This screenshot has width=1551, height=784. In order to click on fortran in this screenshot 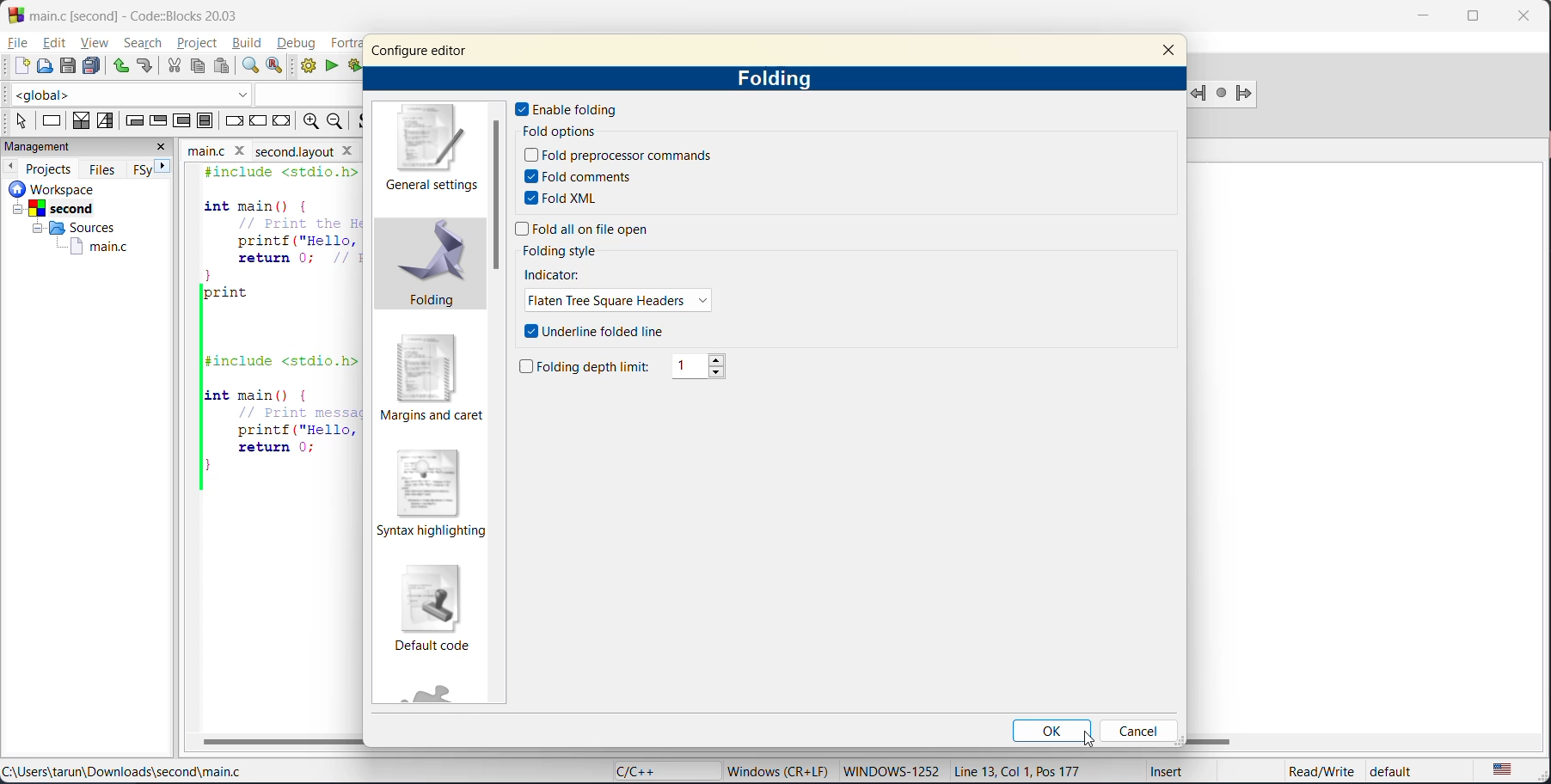, I will do `click(346, 45)`.